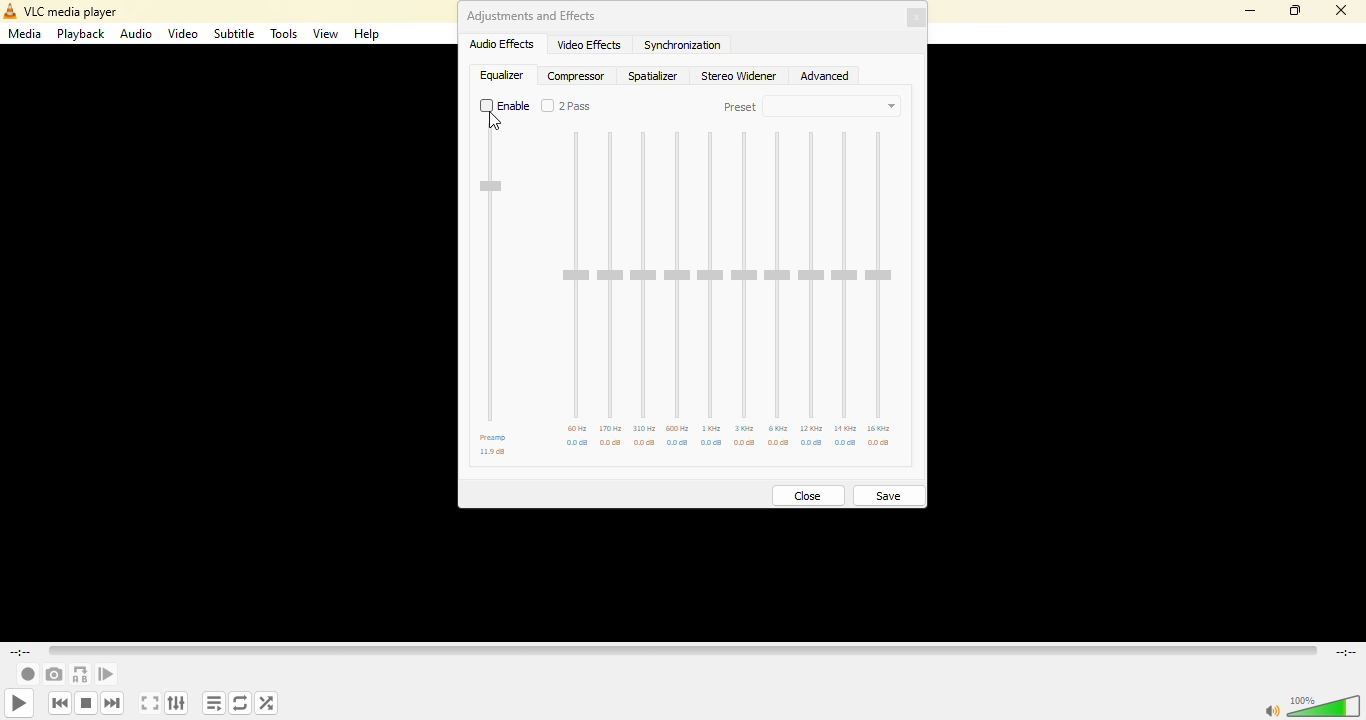 The width and height of the screenshot is (1366, 720). What do you see at coordinates (1248, 11) in the screenshot?
I see `minimize` at bounding box center [1248, 11].